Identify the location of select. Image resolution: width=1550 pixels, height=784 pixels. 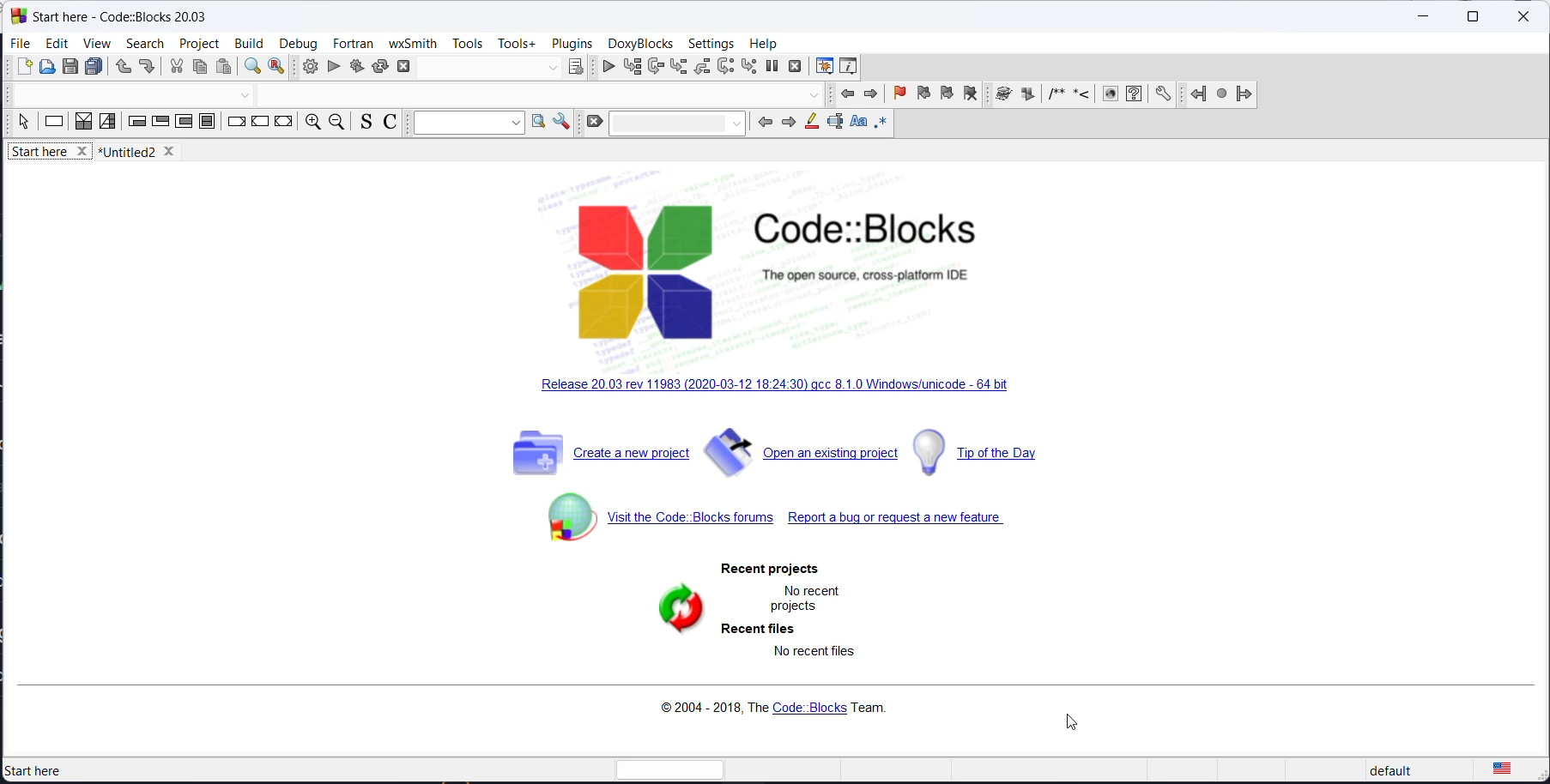
(23, 125).